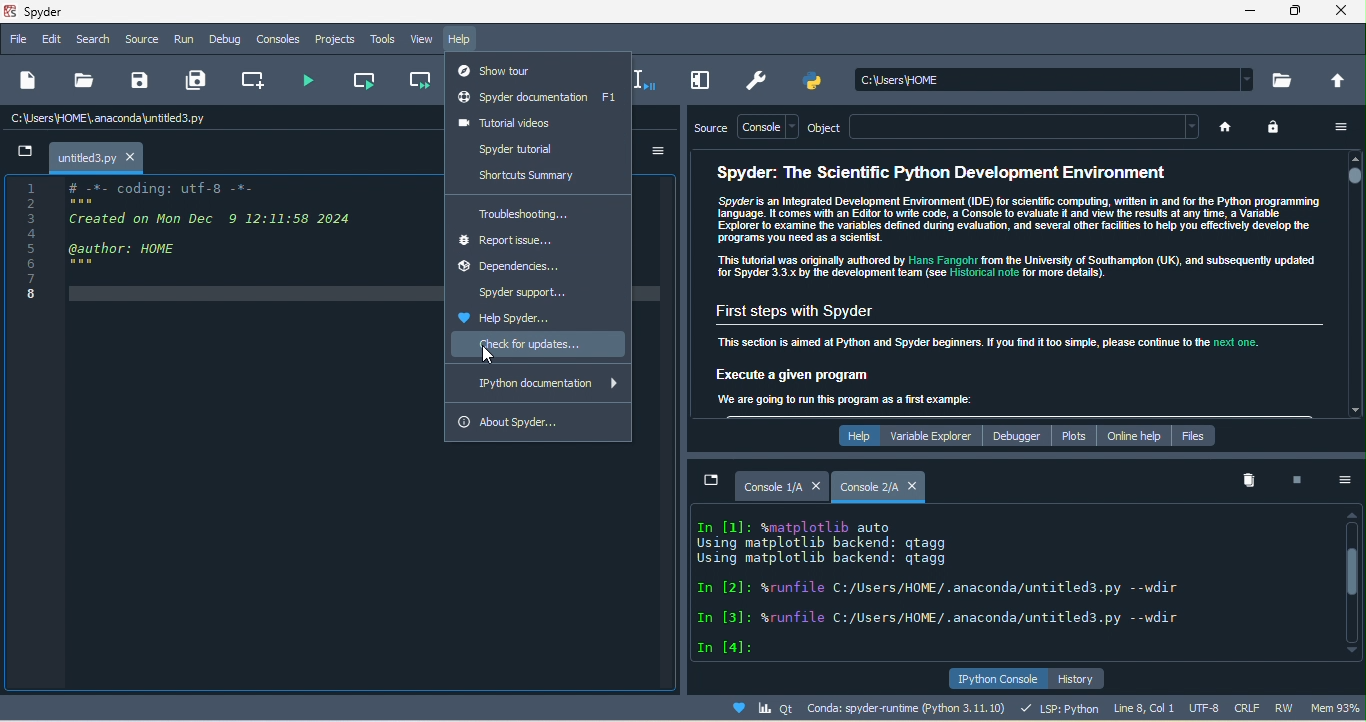 This screenshot has height=722, width=1366. Describe the element at coordinates (181, 40) in the screenshot. I see `run` at that location.